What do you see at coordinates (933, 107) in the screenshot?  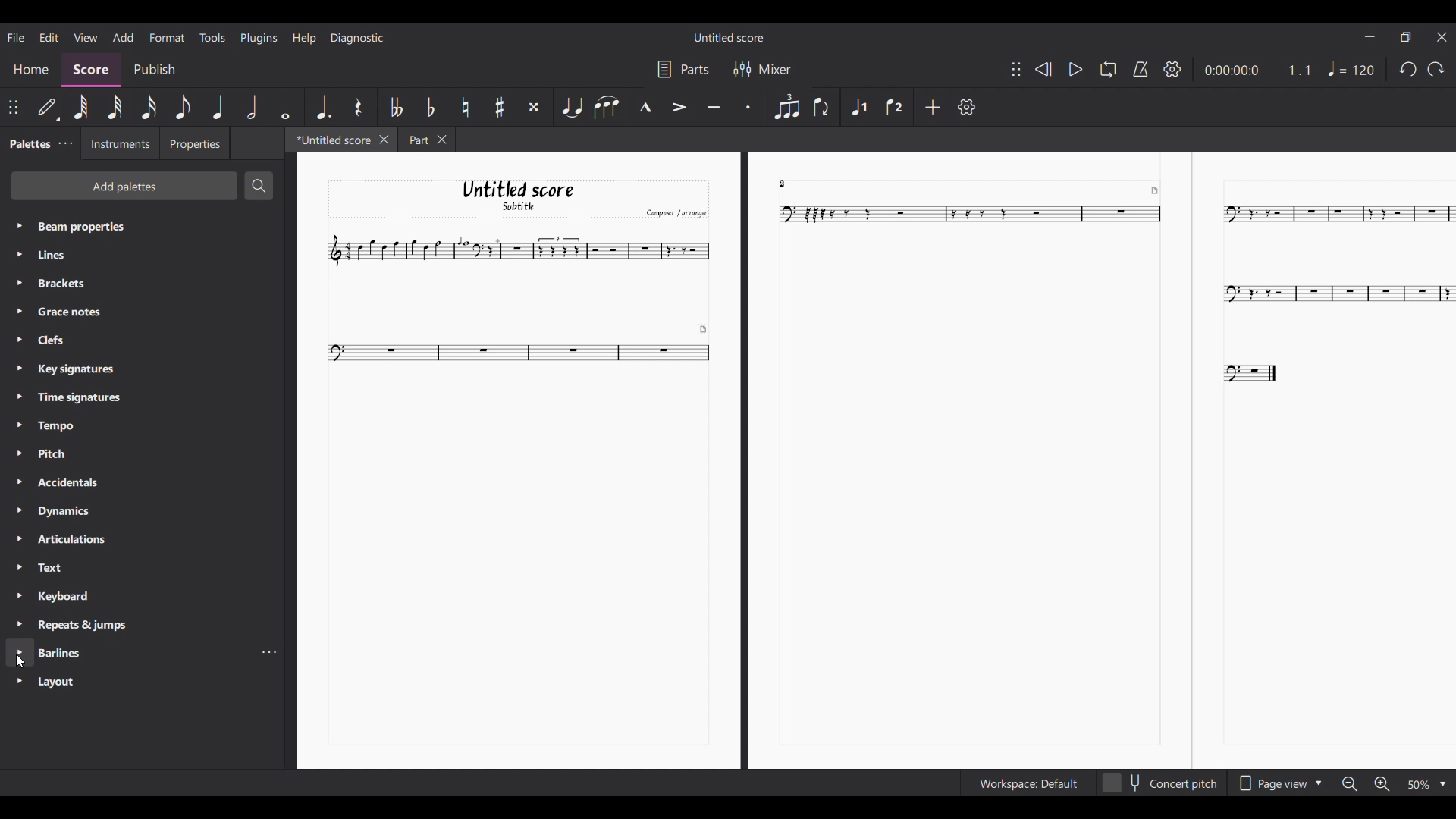 I see `Add` at bounding box center [933, 107].